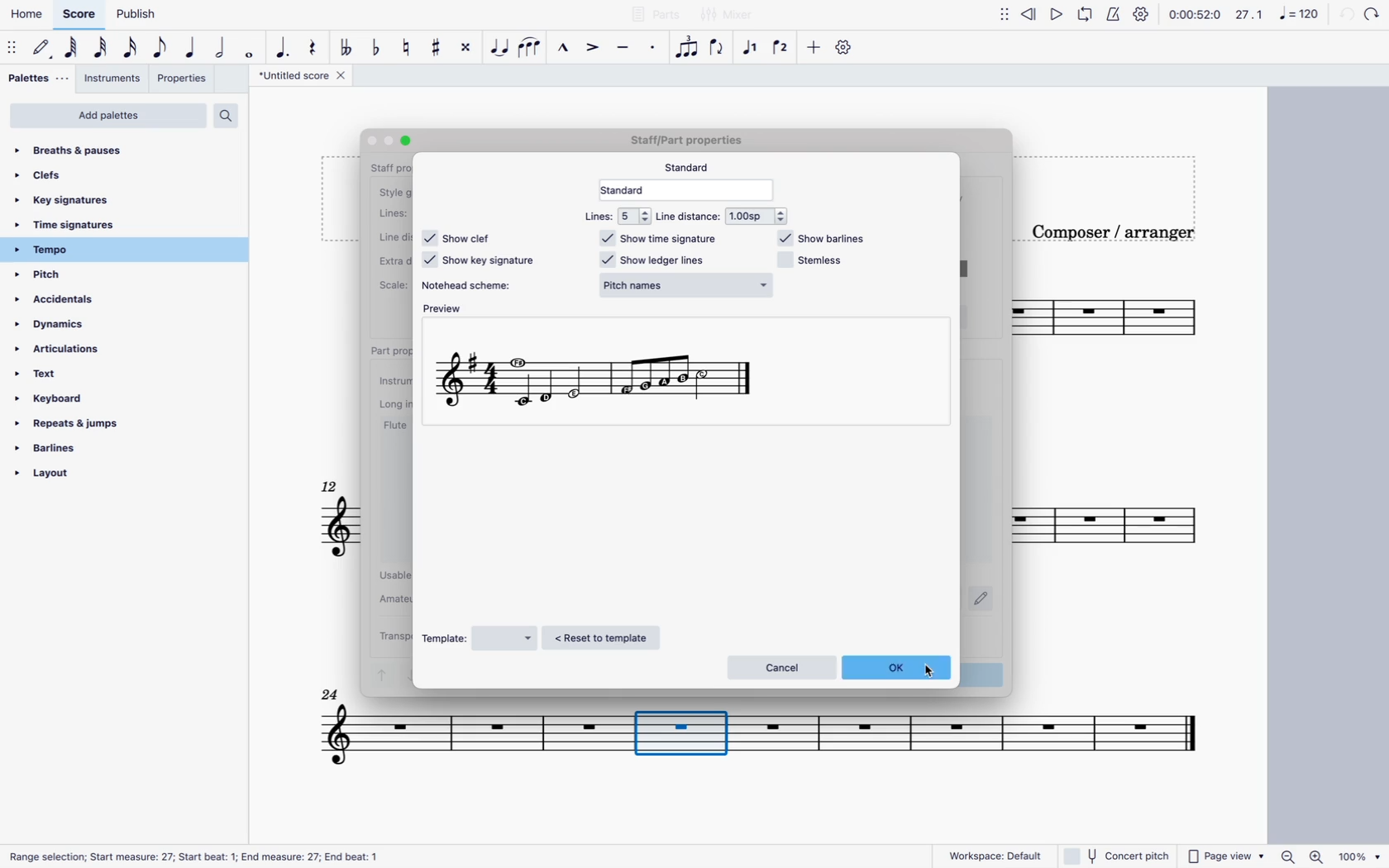 This screenshot has width=1389, height=868. I want to click on tie, so click(498, 50).